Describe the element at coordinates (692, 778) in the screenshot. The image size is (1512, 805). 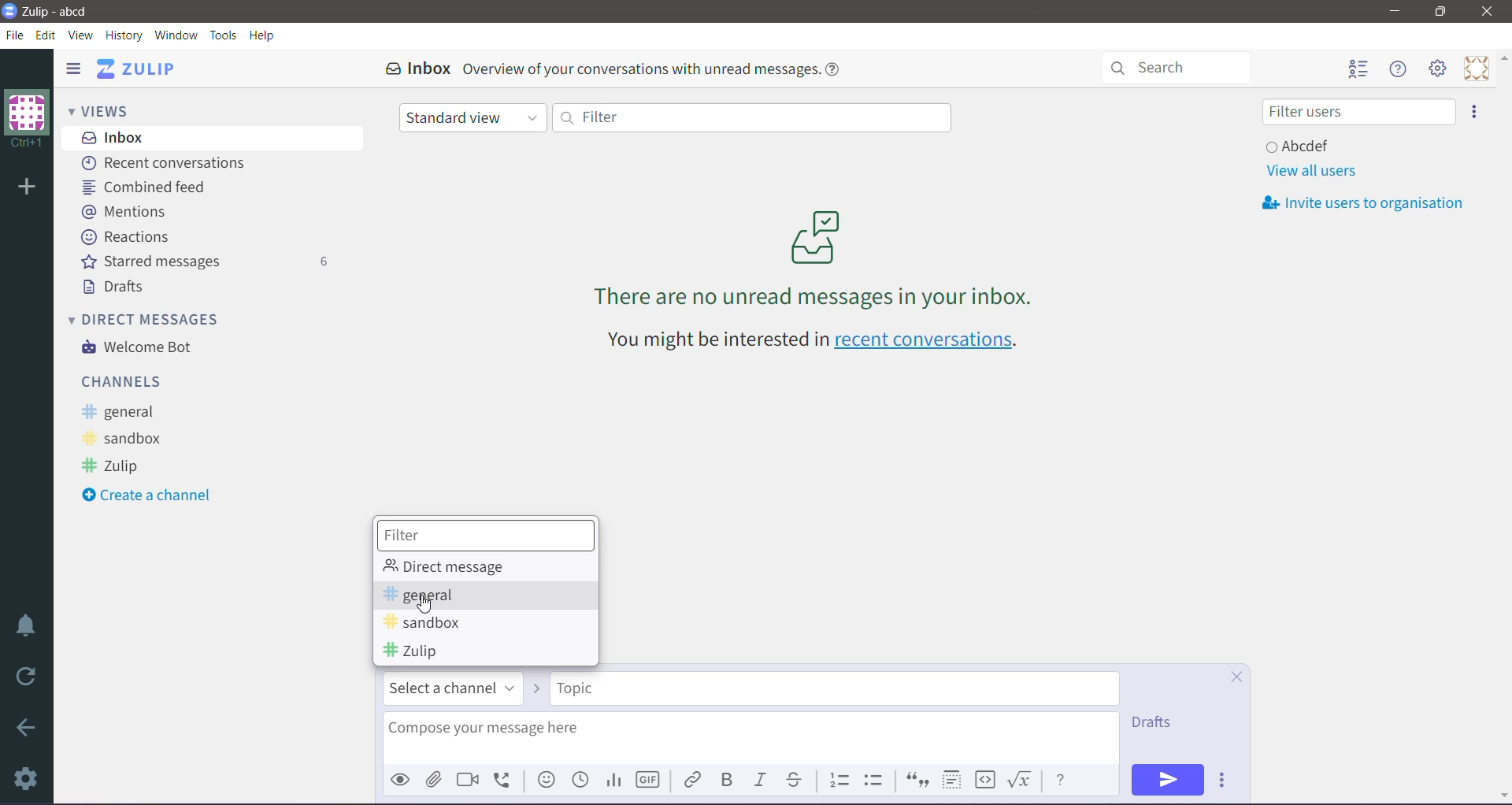
I see `Link` at that location.